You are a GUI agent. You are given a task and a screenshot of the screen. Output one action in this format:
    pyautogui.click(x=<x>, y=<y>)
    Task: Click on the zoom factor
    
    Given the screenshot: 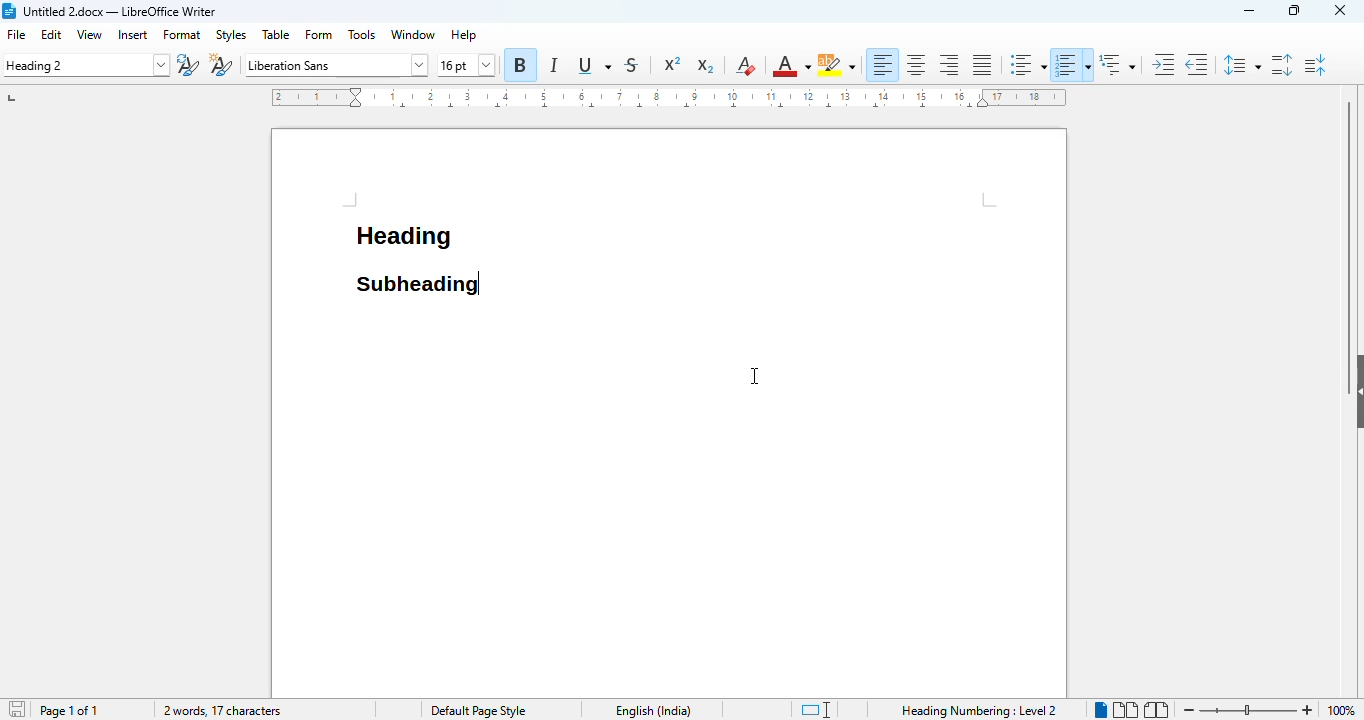 What is the action you would take?
    pyautogui.click(x=1341, y=710)
    